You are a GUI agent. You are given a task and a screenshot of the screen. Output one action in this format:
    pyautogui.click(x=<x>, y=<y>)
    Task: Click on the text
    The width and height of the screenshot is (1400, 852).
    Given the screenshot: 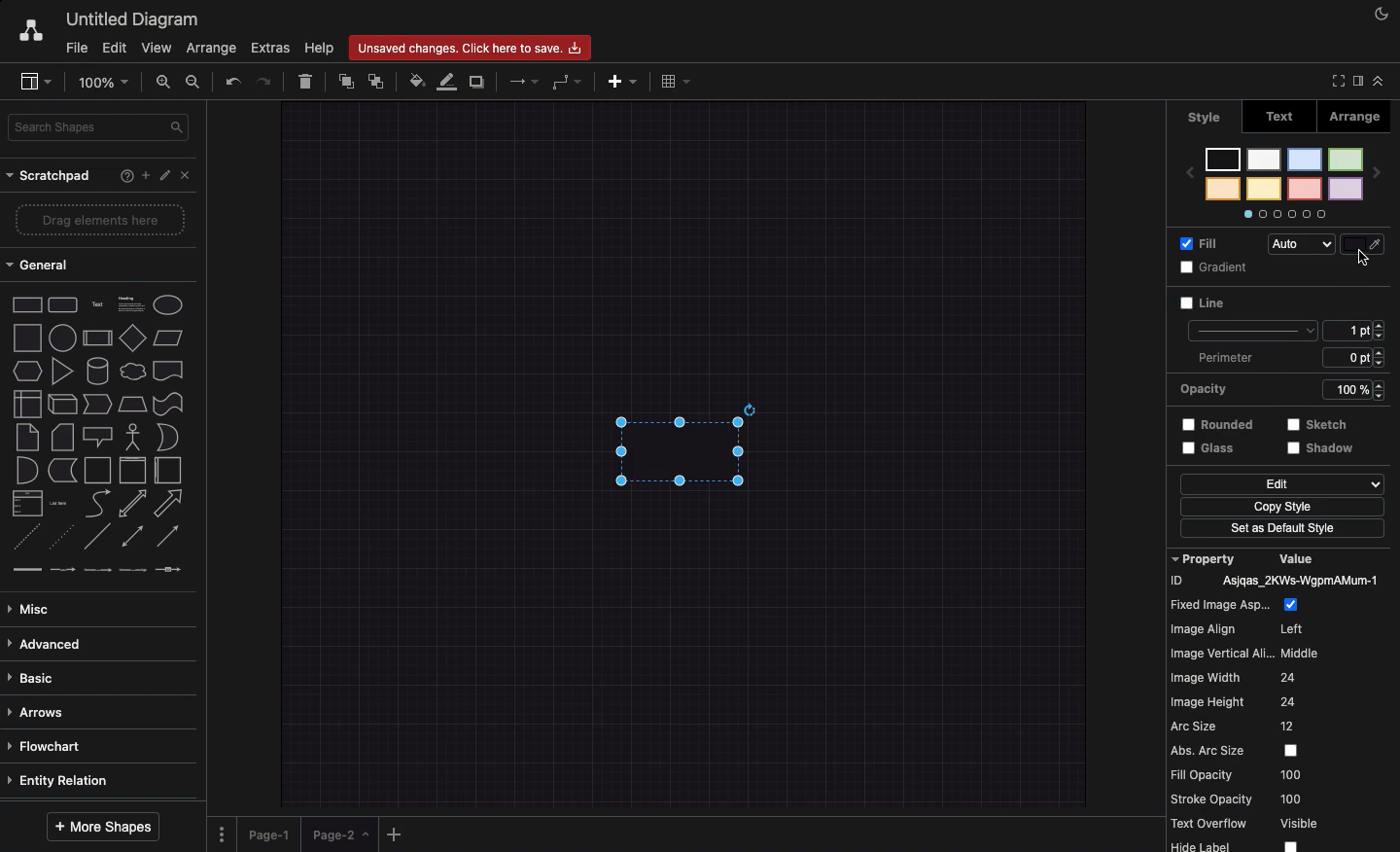 What is the action you would take?
    pyautogui.click(x=96, y=303)
    